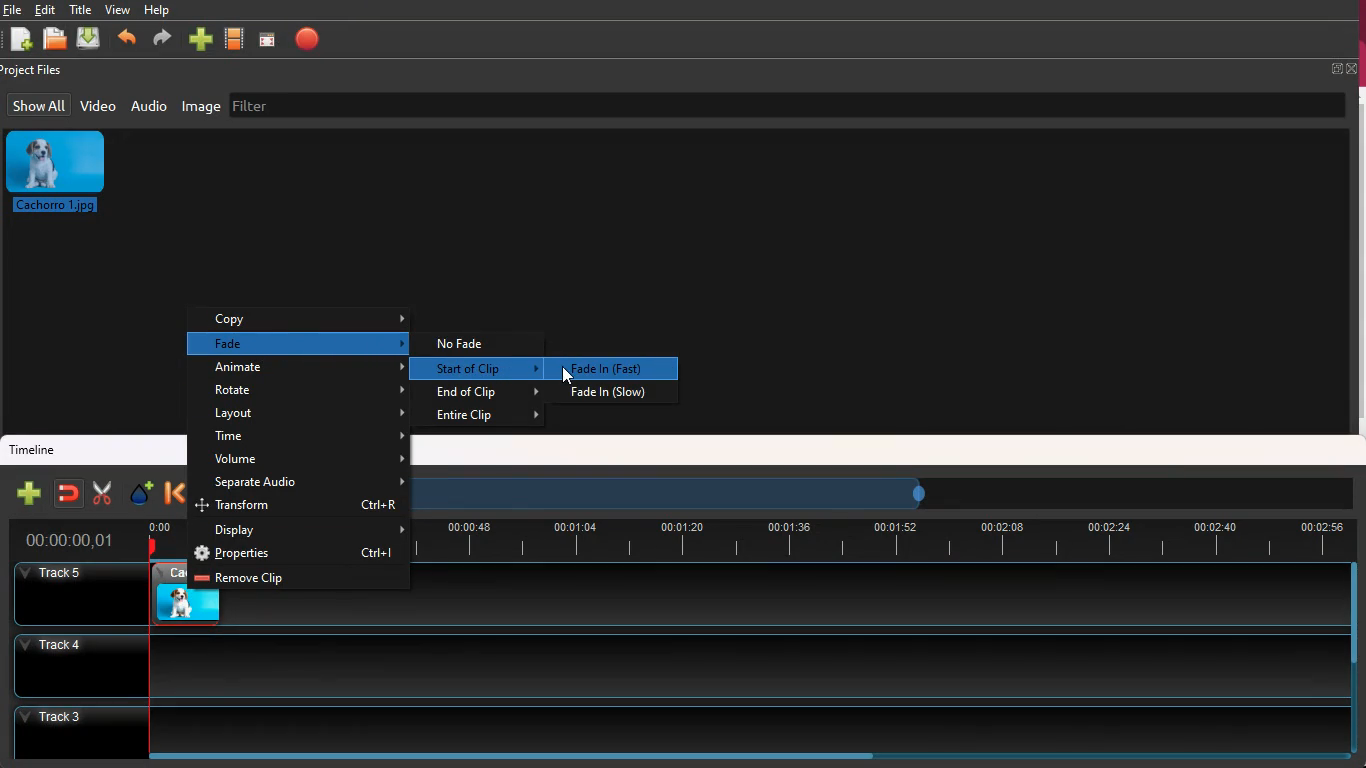 The image size is (1366, 768). Describe the element at coordinates (60, 174) in the screenshot. I see `image` at that location.